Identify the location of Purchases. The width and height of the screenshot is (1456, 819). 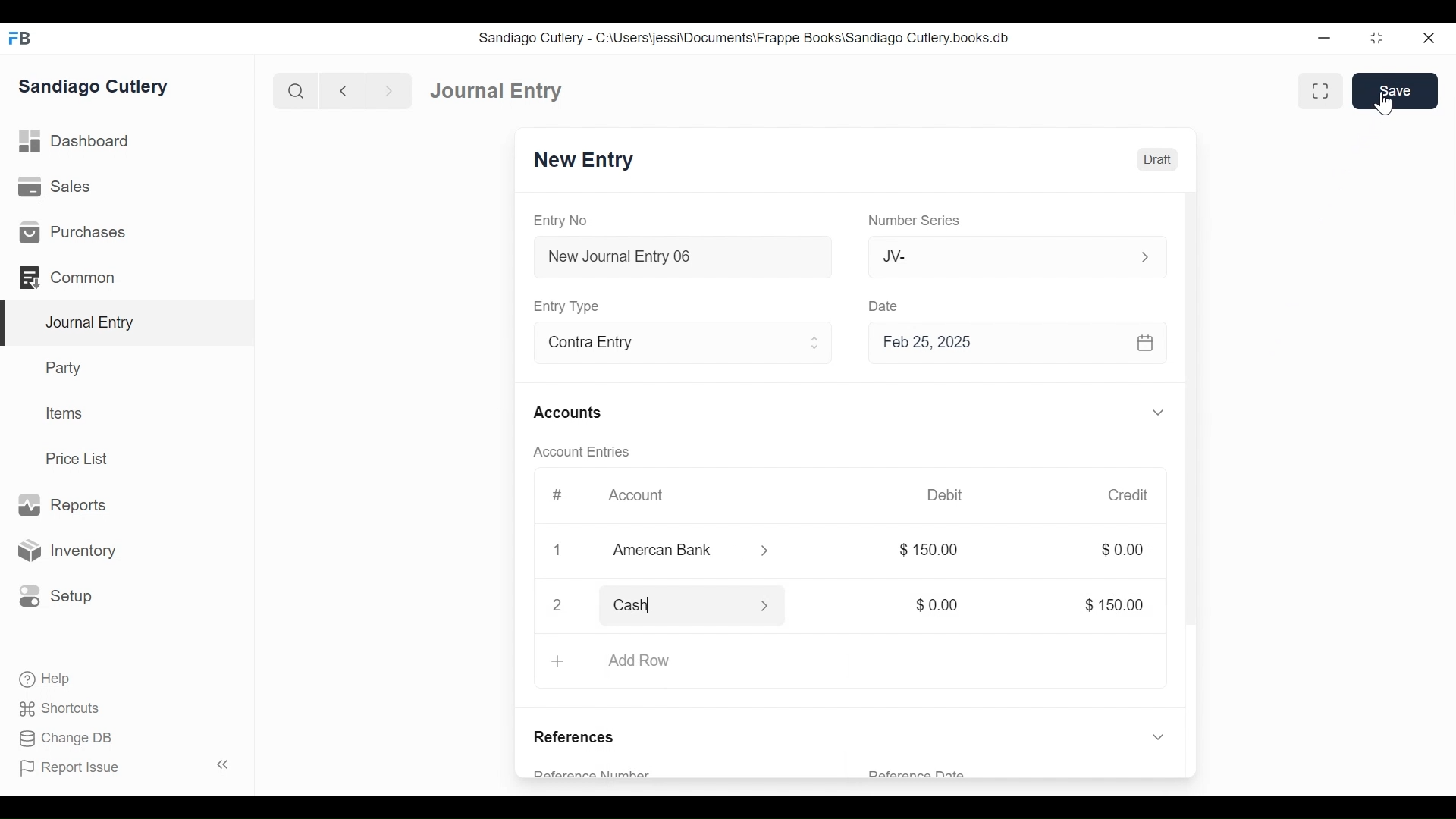
(71, 232).